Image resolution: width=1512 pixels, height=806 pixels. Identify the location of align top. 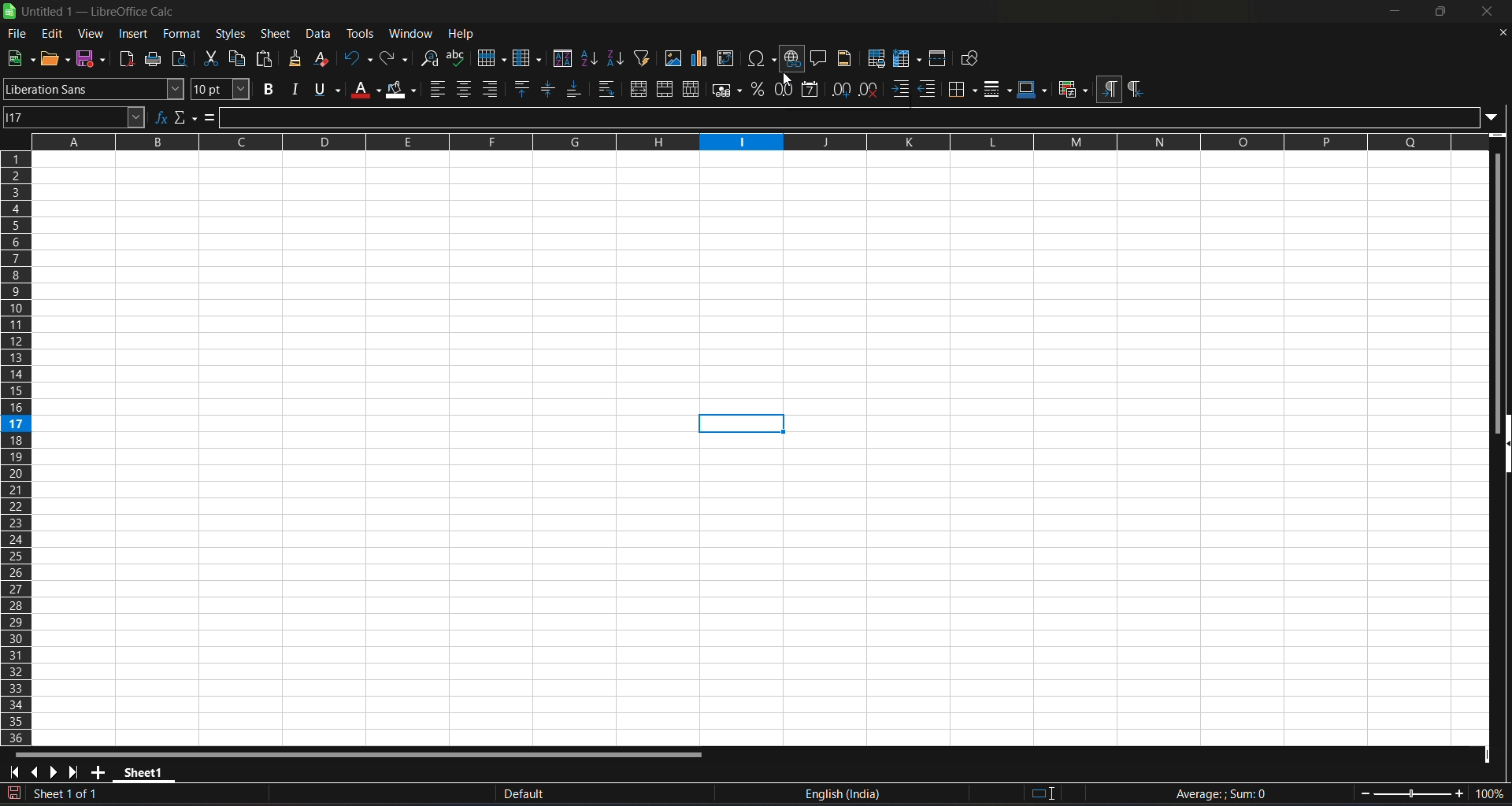
(524, 88).